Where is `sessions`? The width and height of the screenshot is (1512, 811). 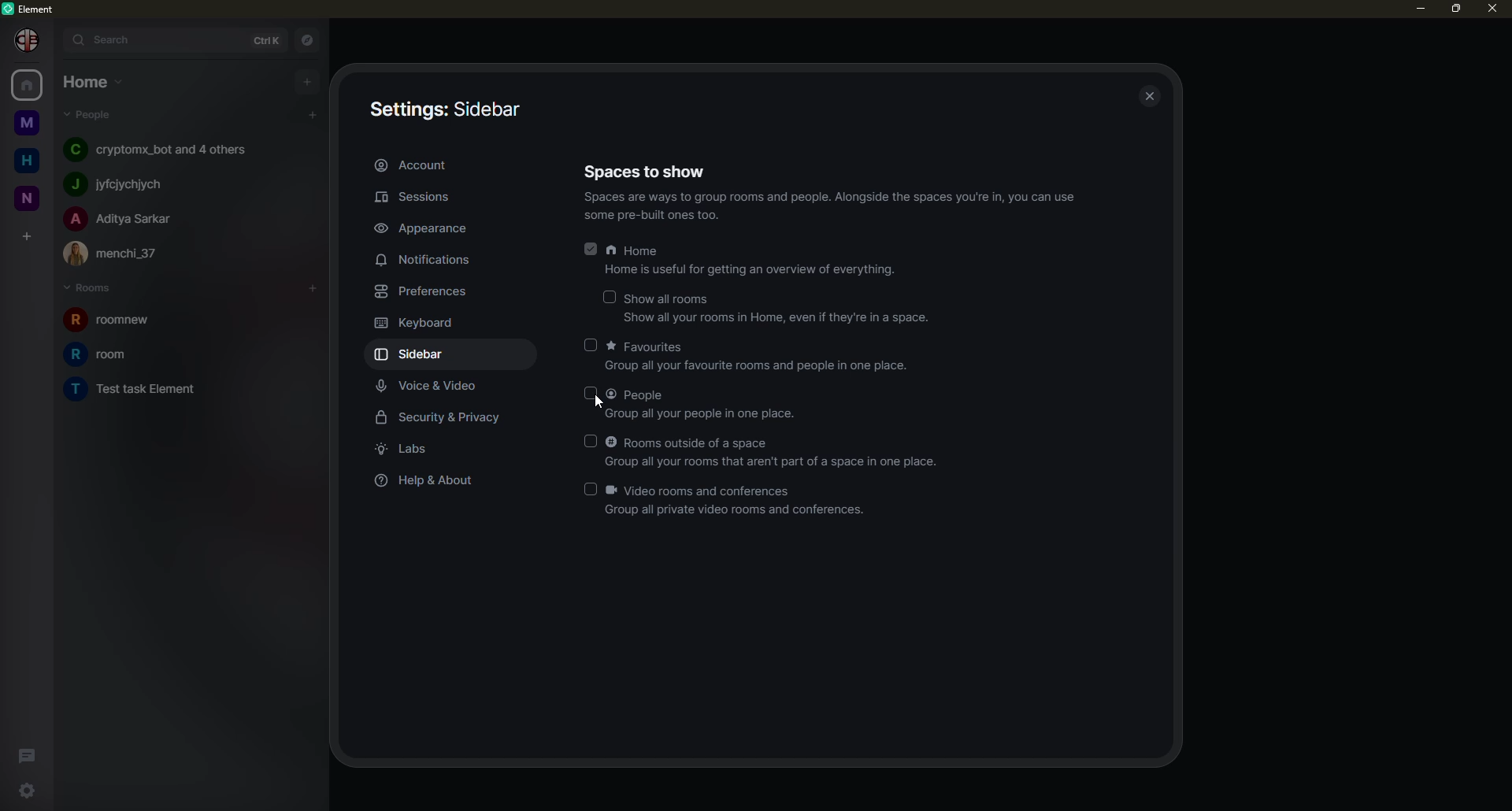 sessions is located at coordinates (427, 198).